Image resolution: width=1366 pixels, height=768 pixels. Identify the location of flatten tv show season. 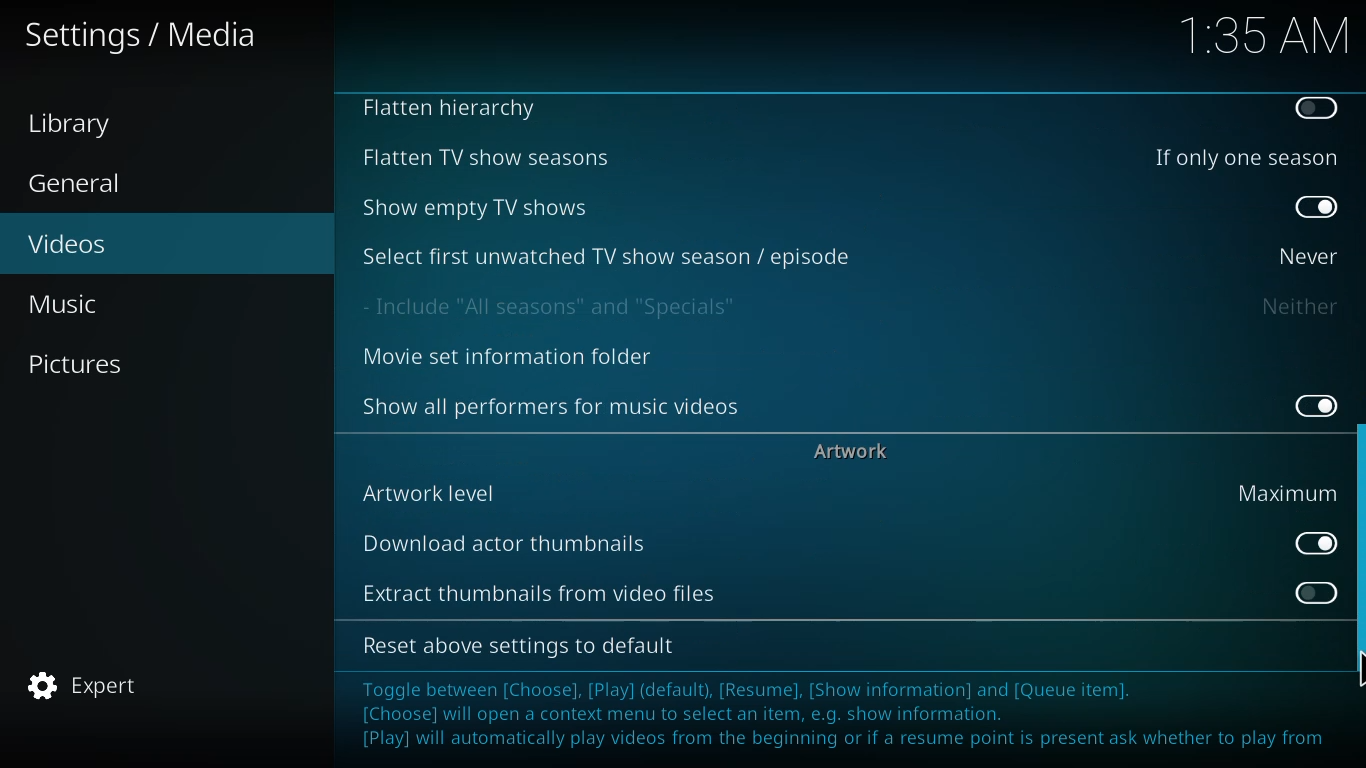
(483, 157).